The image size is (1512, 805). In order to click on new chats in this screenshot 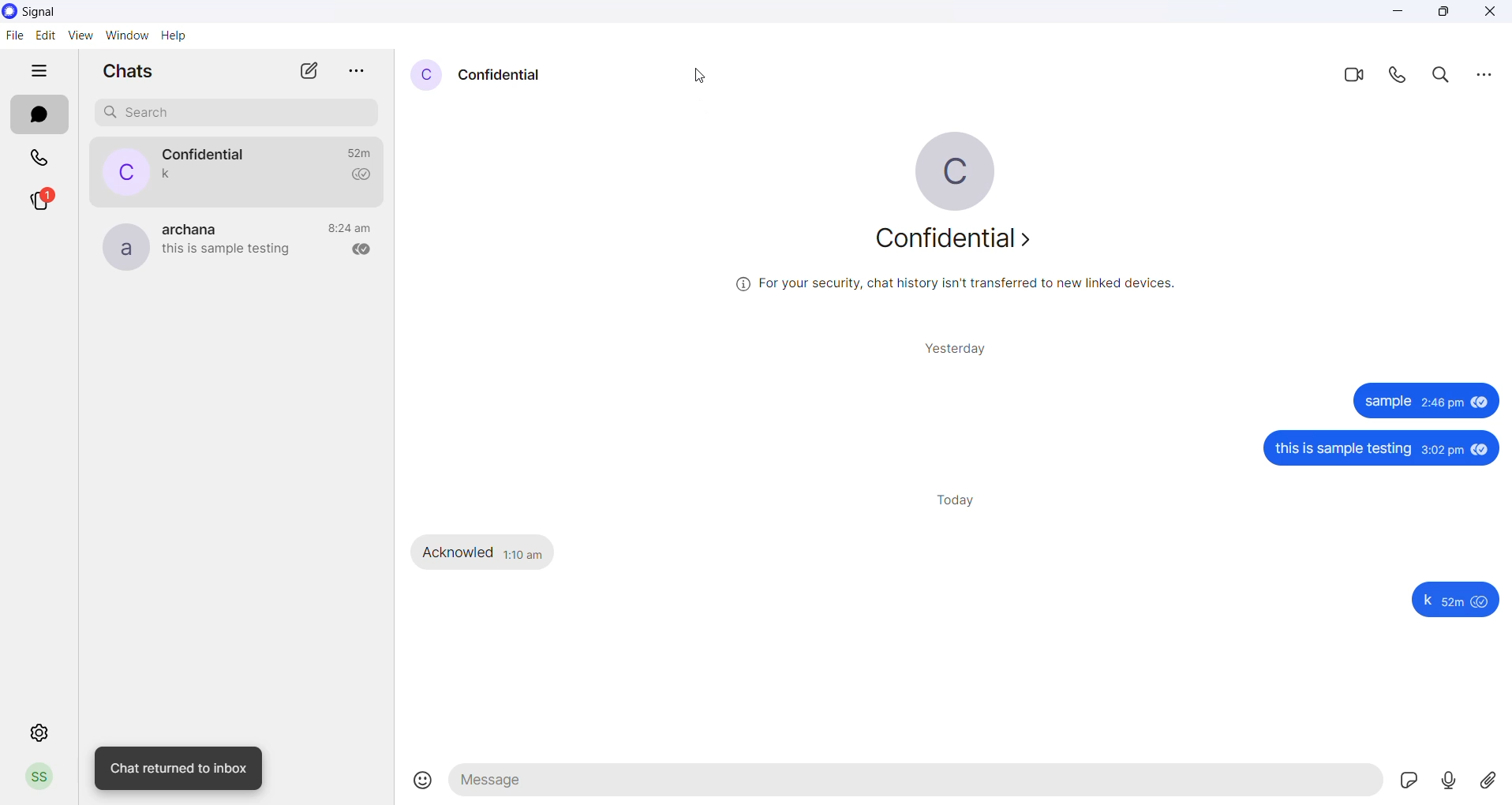, I will do `click(313, 71)`.